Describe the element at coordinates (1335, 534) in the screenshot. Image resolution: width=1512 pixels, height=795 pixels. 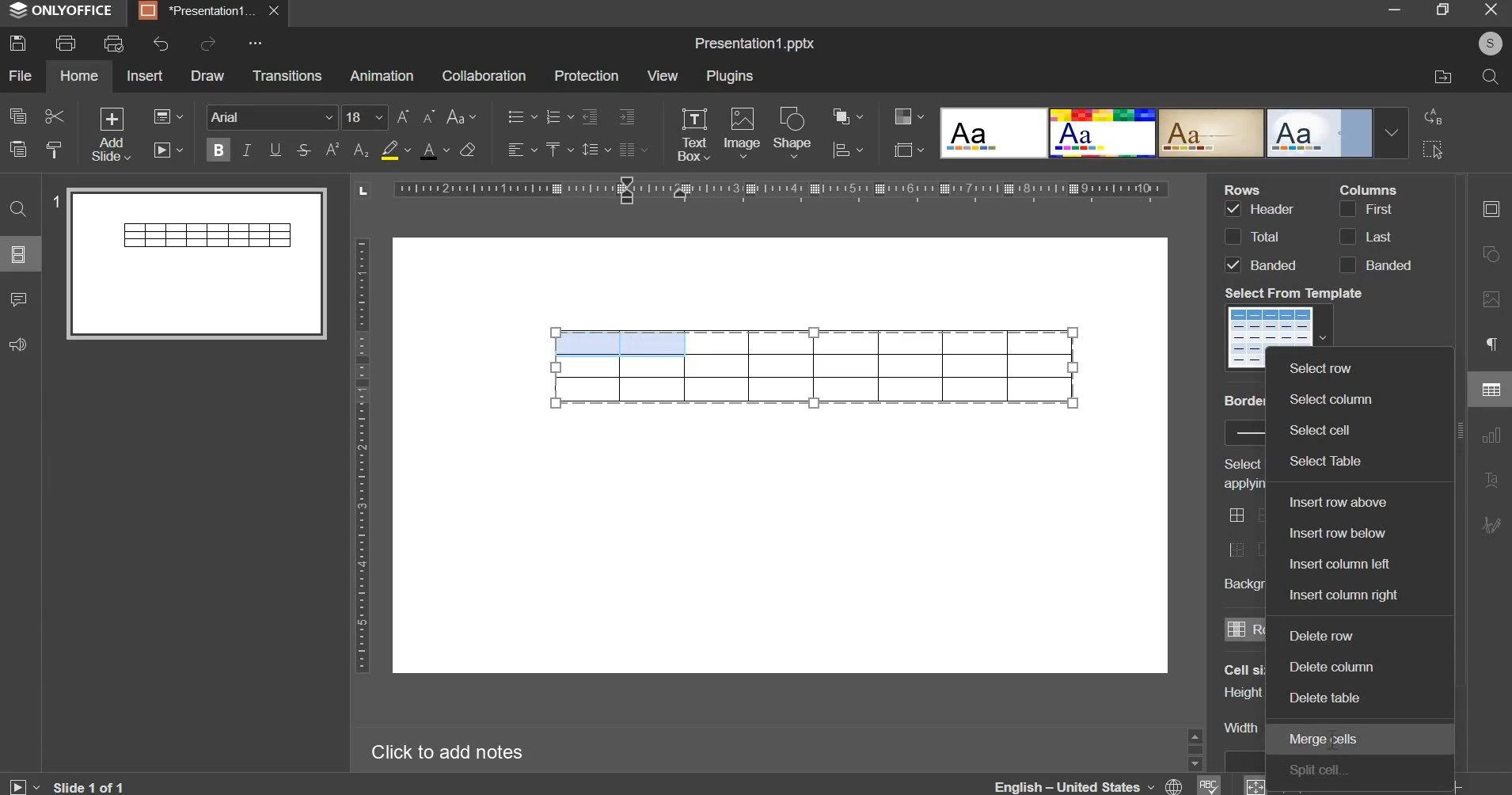
I see `insert row below` at that location.